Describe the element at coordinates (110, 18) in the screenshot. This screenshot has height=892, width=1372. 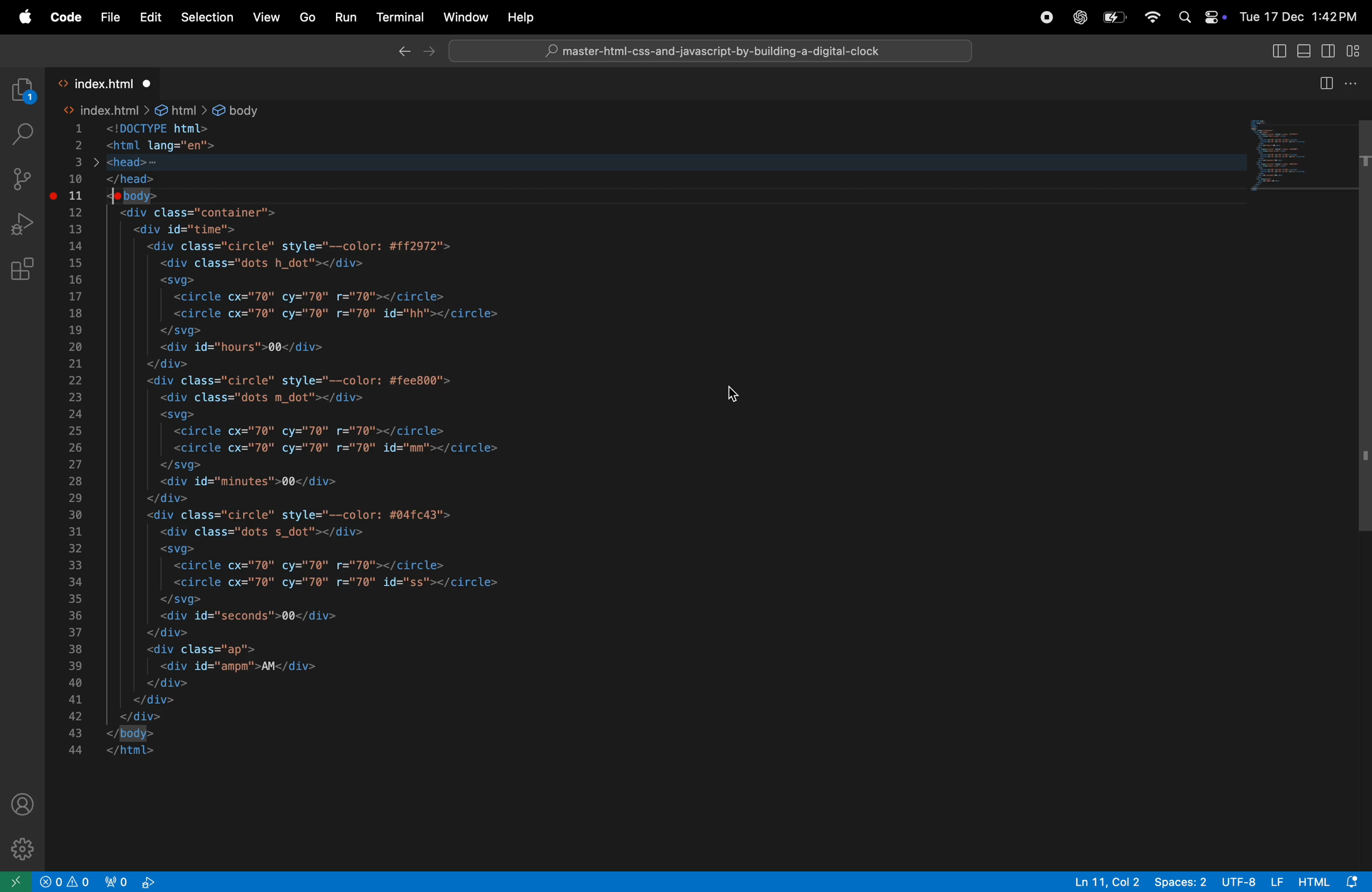
I see `File` at that location.